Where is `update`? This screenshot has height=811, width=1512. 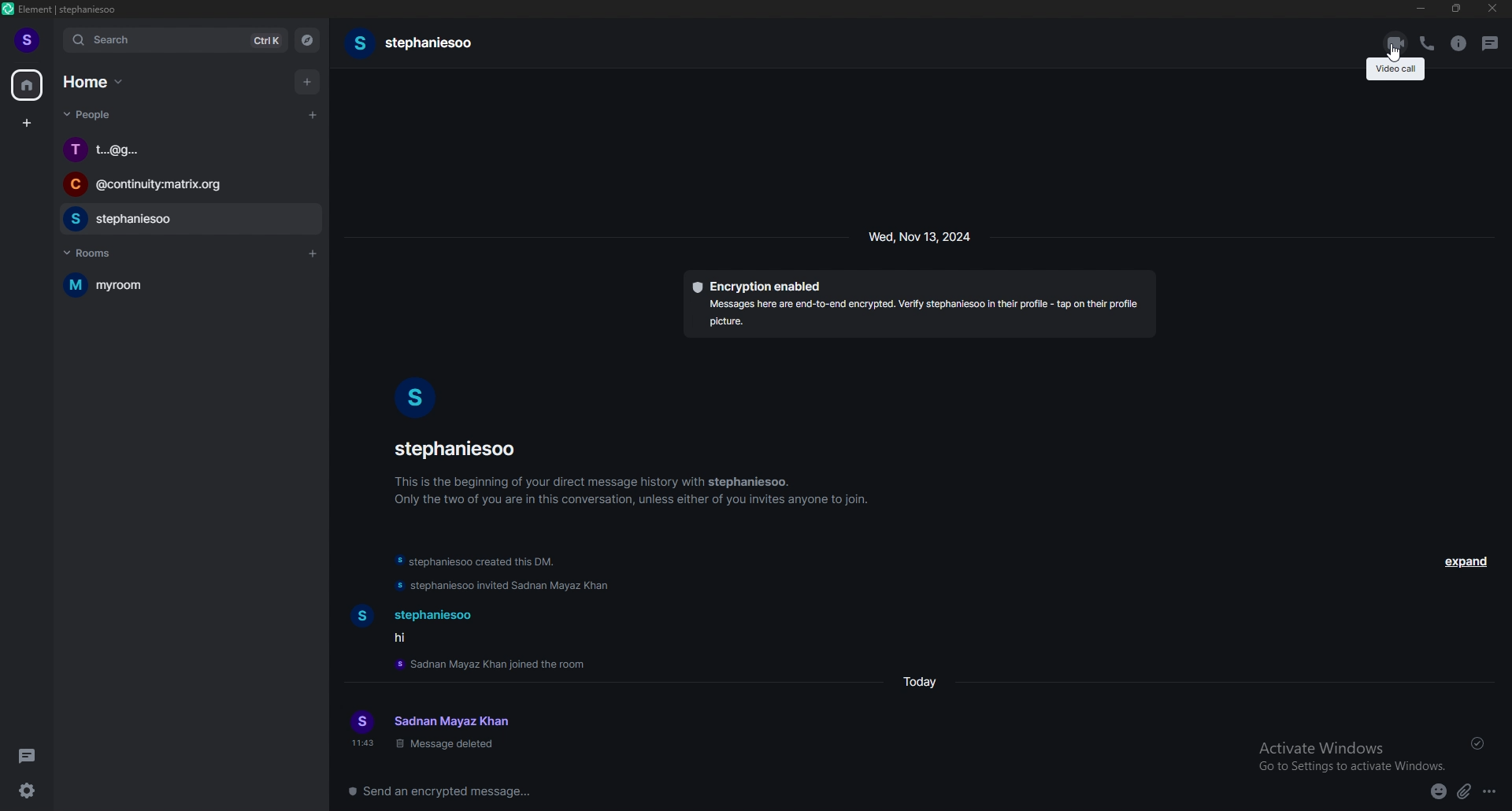 update is located at coordinates (506, 586).